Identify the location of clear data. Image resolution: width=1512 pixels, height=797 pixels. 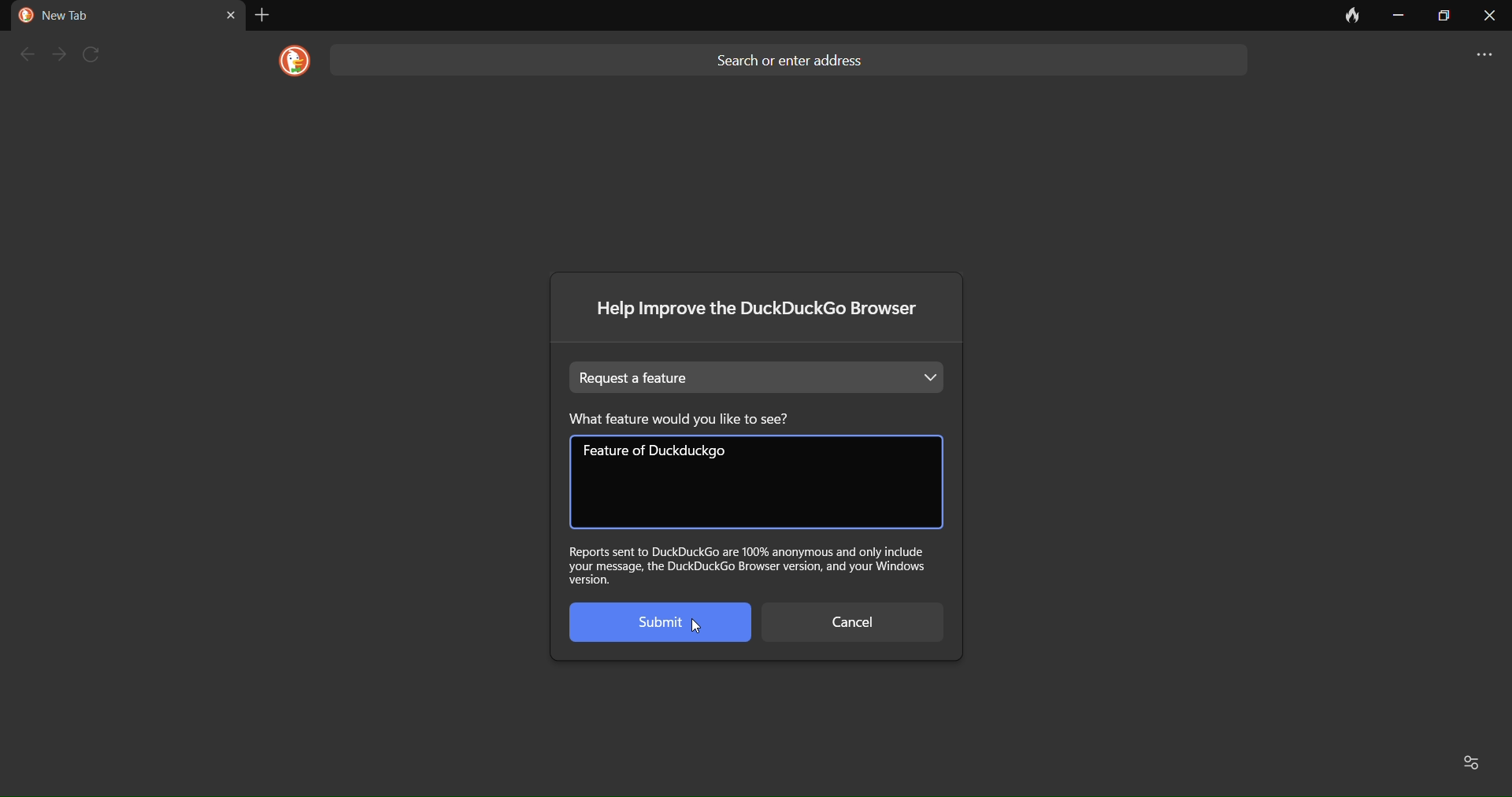
(1345, 20).